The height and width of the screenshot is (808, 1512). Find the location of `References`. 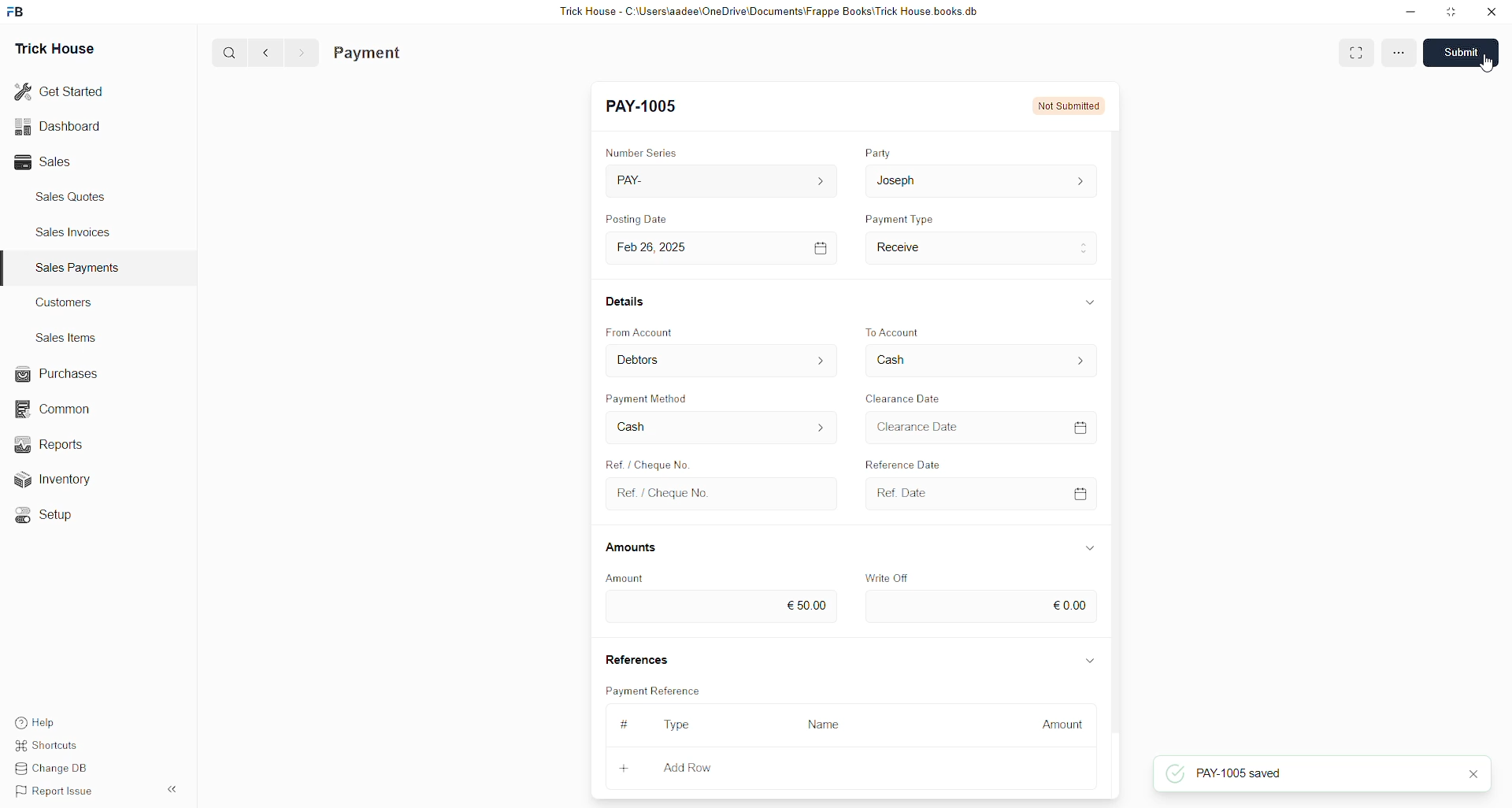

References is located at coordinates (636, 657).